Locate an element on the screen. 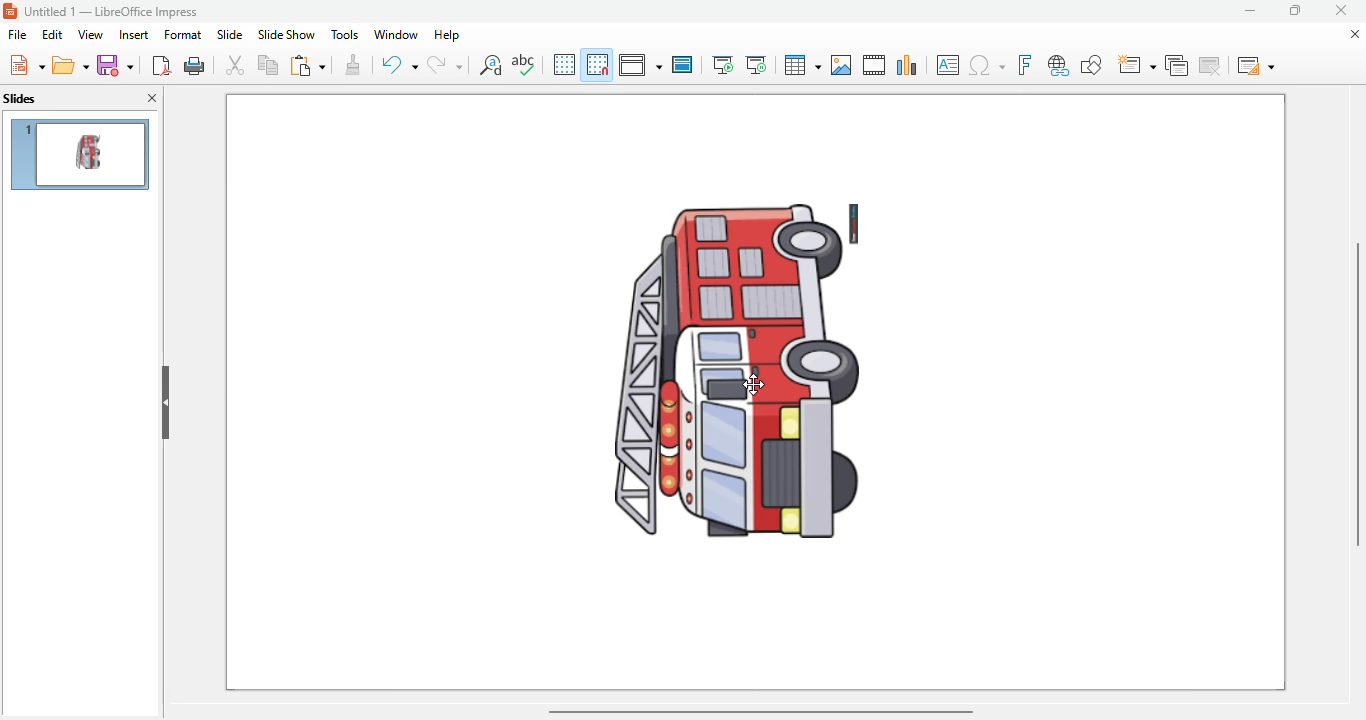  image is located at coordinates (729, 370).